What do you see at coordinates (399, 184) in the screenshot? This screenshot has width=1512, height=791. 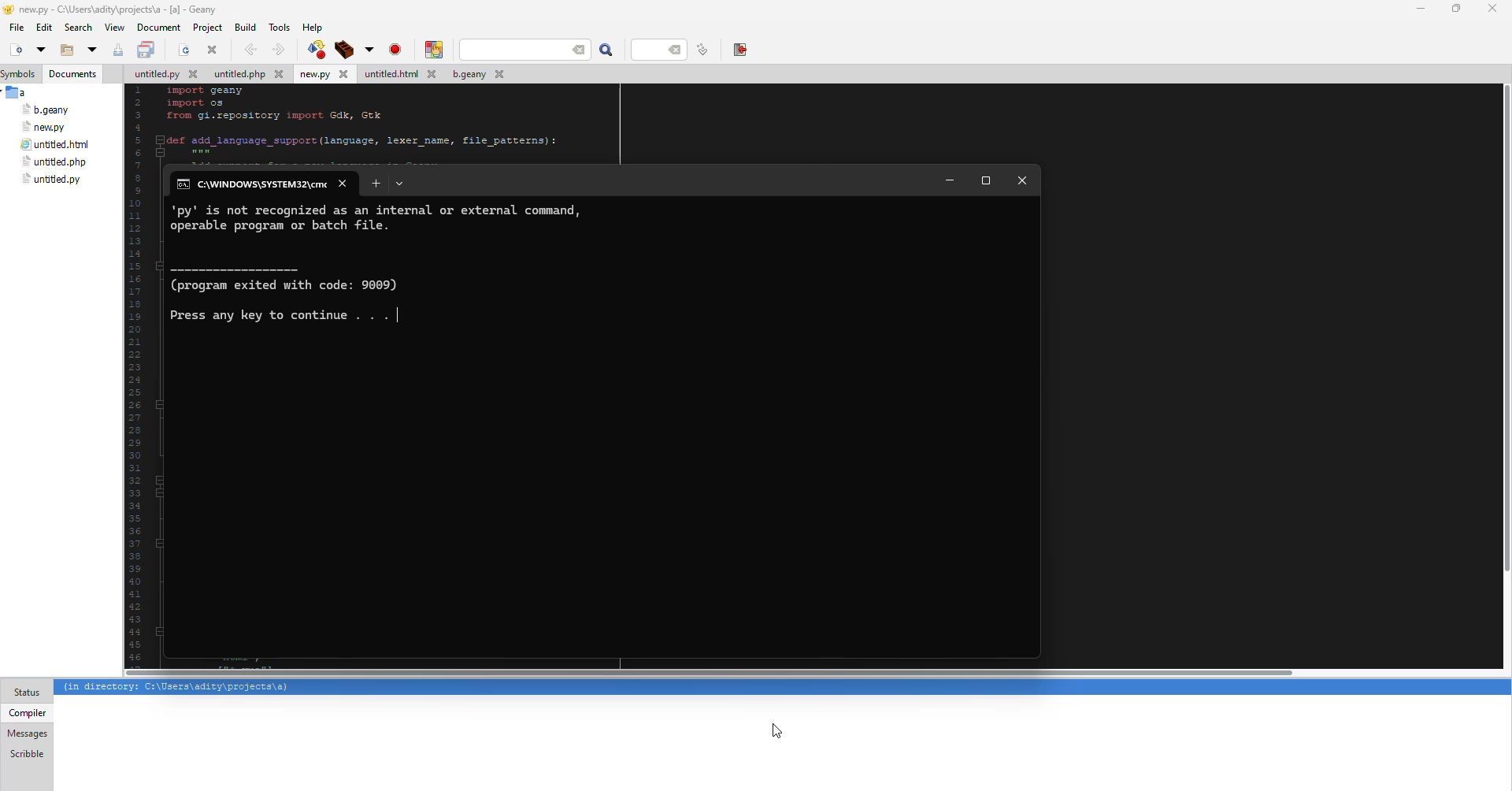 I see `tab` at bounding box center [399, 184].